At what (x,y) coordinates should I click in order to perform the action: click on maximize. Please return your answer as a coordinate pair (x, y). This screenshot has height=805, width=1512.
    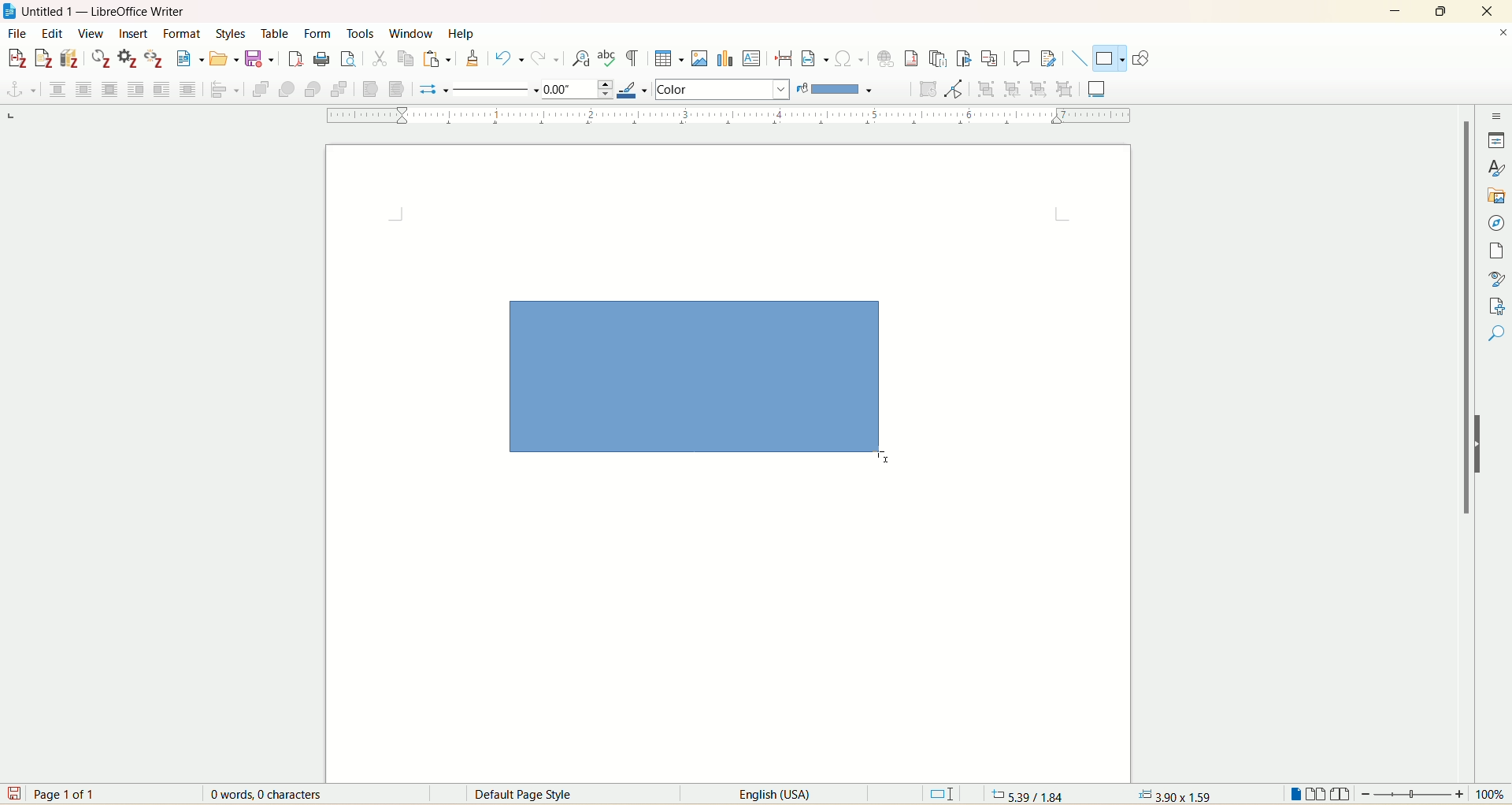
    Looking at the image, I should click on (1444, 10).